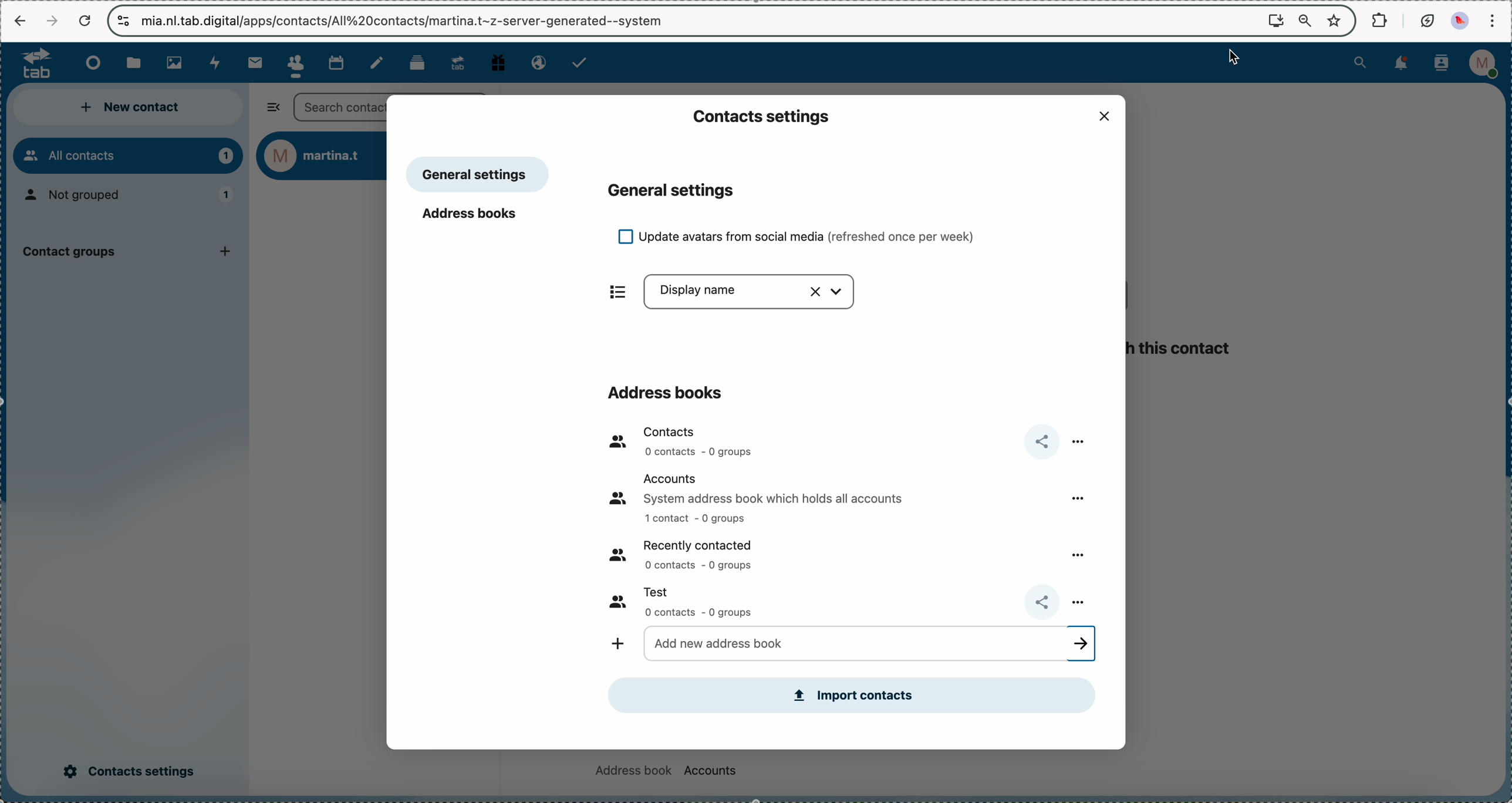 Image resolution: width=1512 pixels, height=803 pixels. I want to click on items, so click(612, 295).